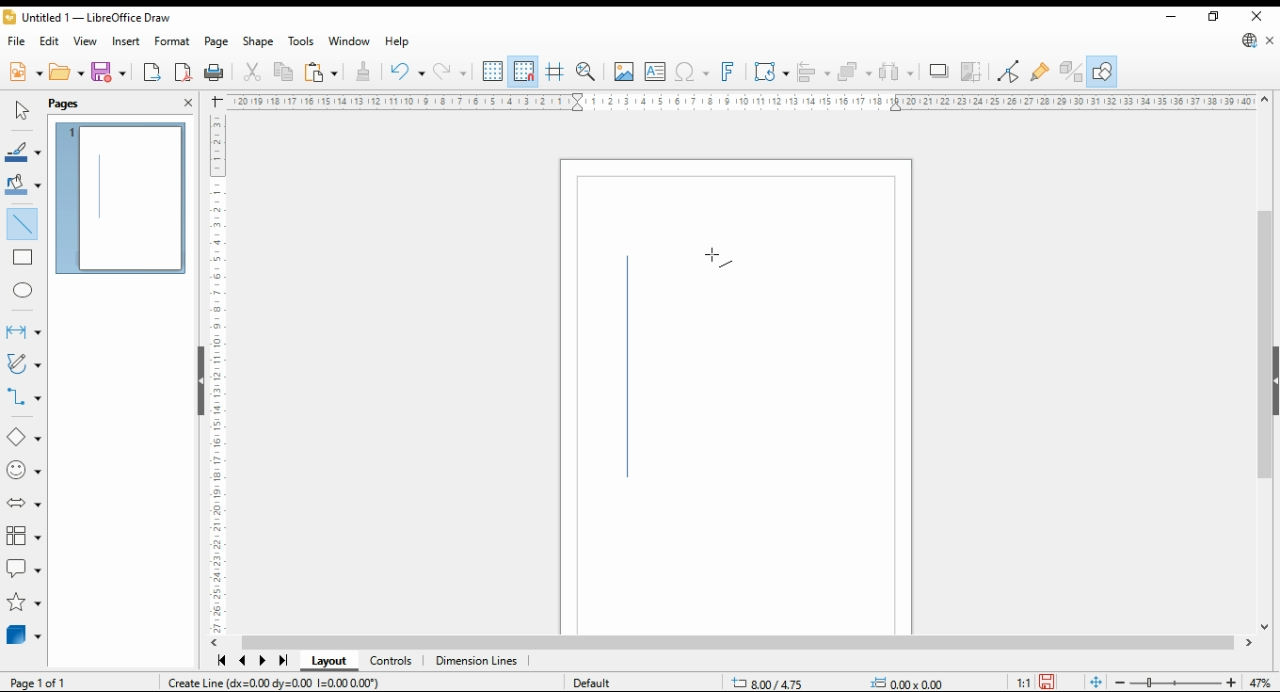 The height and width of the screenshot is (692, 1280). Describe the element at coordinates (406, 73) in the screenshot. I see `redo` at that location.